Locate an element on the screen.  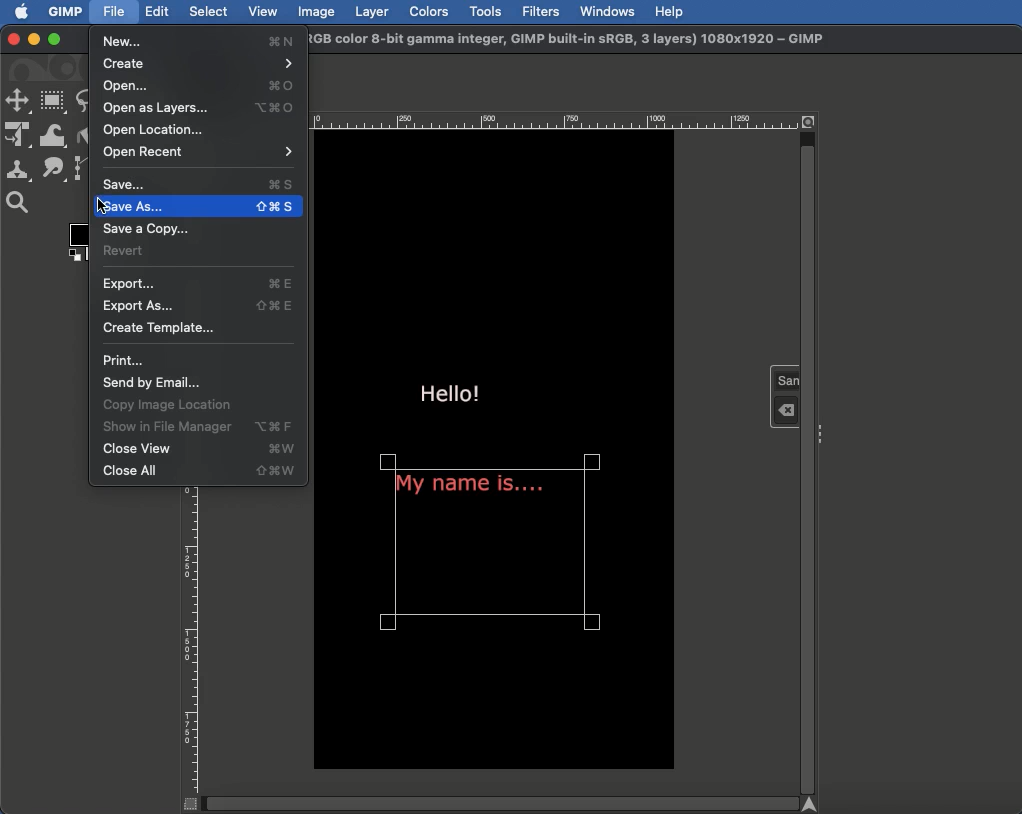
Export is located at coordinates (198, 284).